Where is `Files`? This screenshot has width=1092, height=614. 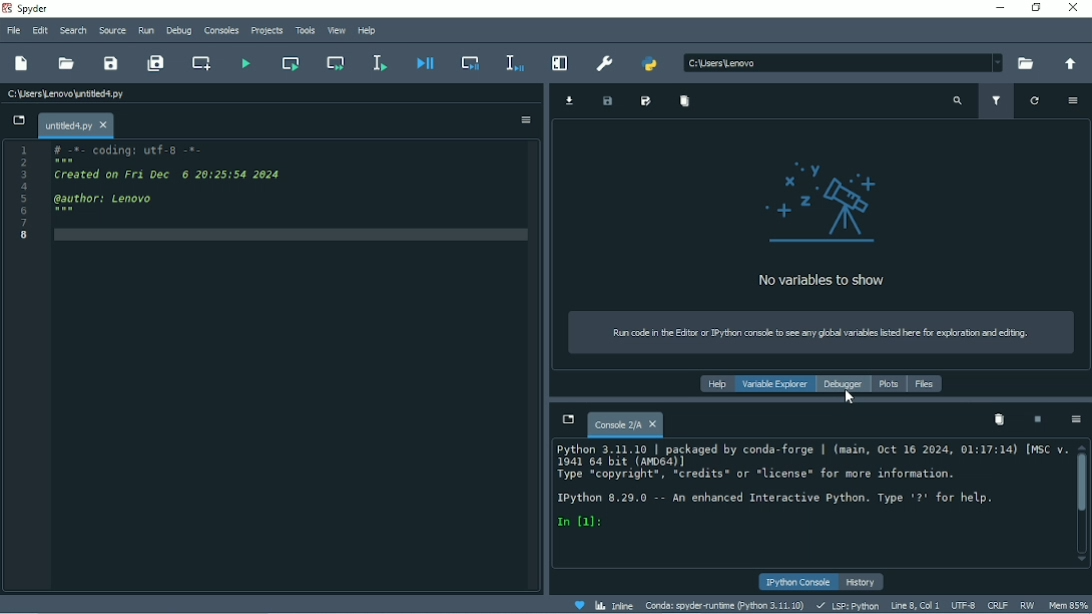
Files is located at coordinates (925, 384).